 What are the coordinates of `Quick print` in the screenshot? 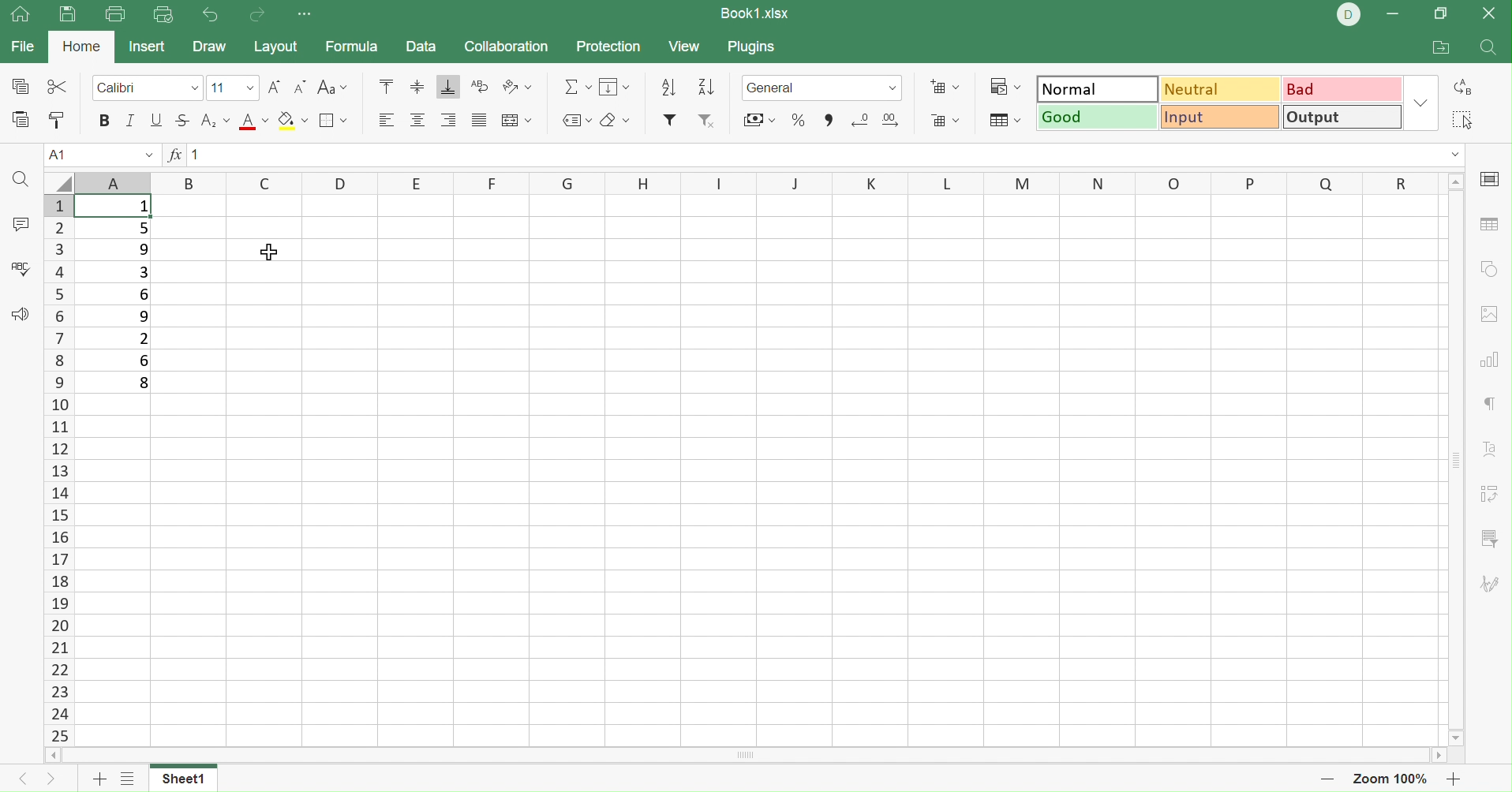 It's located at (163, 15).